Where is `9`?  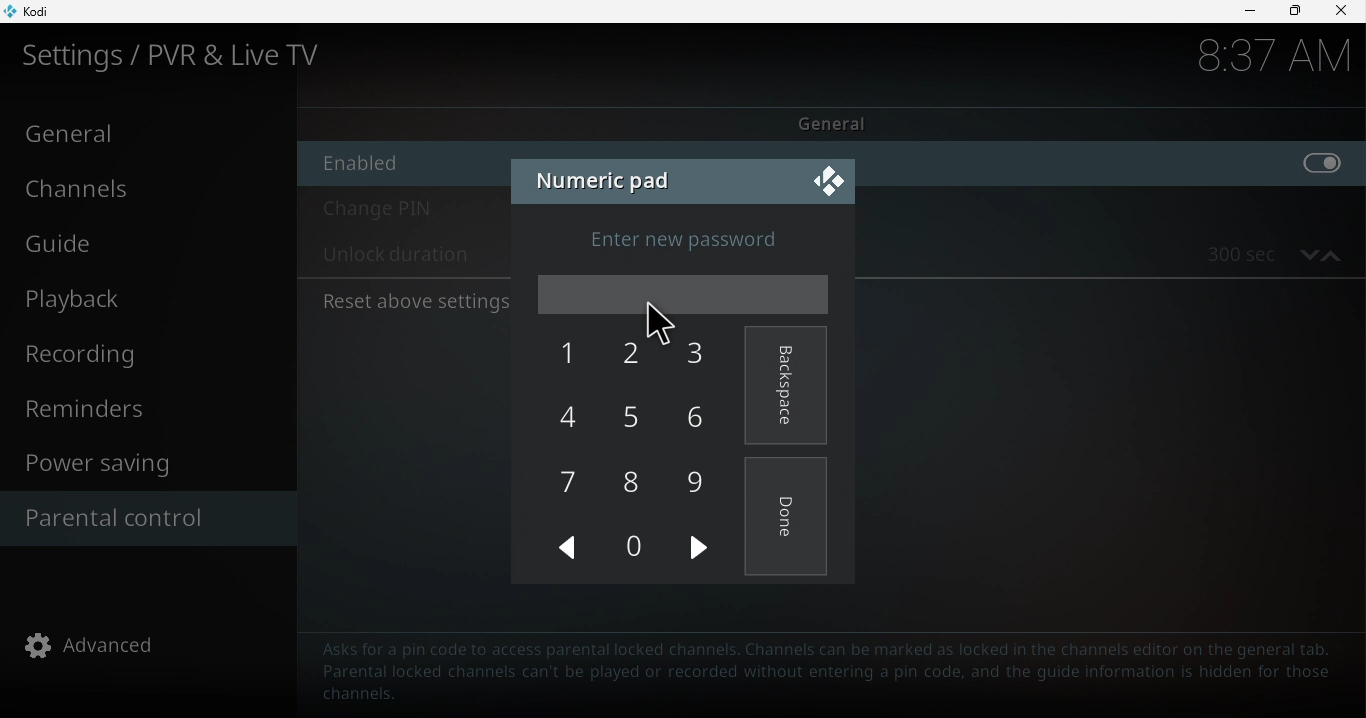
9 is located at coordinates (699, 479).